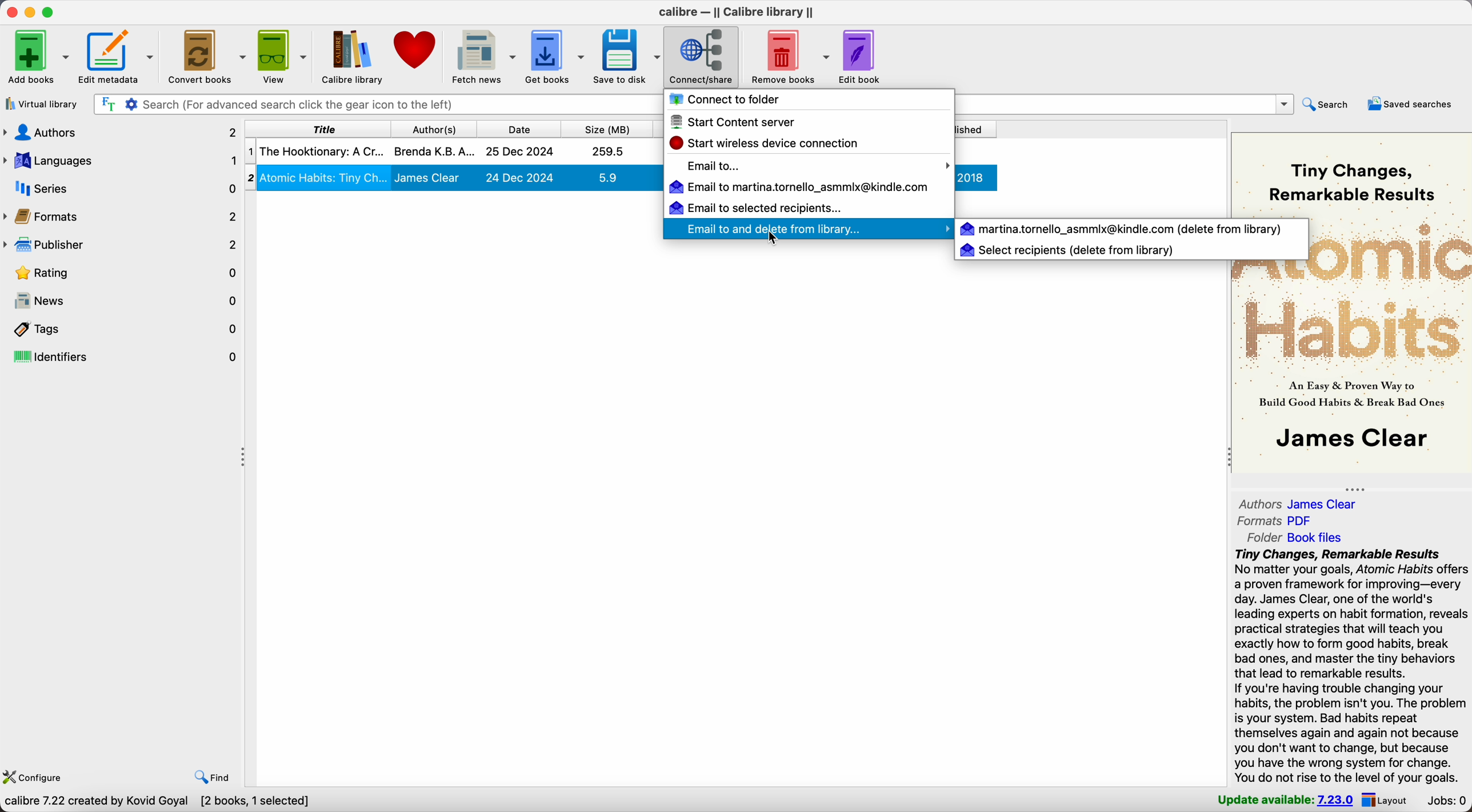 This screenshot has height=812, width=1472. I want to click on start content server, so click(734, 122).